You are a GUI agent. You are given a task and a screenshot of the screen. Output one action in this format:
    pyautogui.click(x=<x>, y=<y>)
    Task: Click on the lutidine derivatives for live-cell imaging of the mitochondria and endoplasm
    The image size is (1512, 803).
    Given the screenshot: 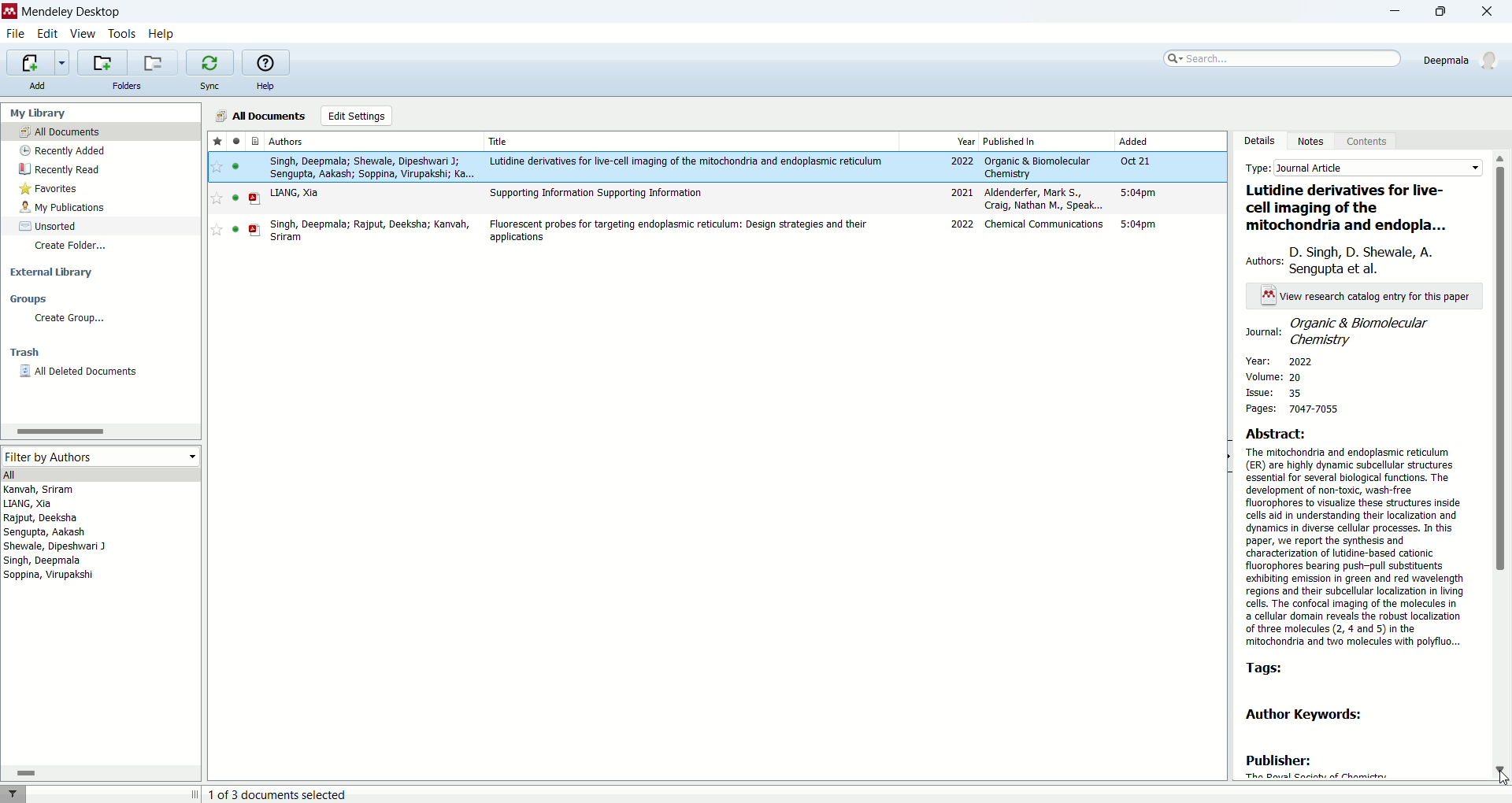 What is the action you would take?
    pyautogui.click(x=1358, y=206)
    